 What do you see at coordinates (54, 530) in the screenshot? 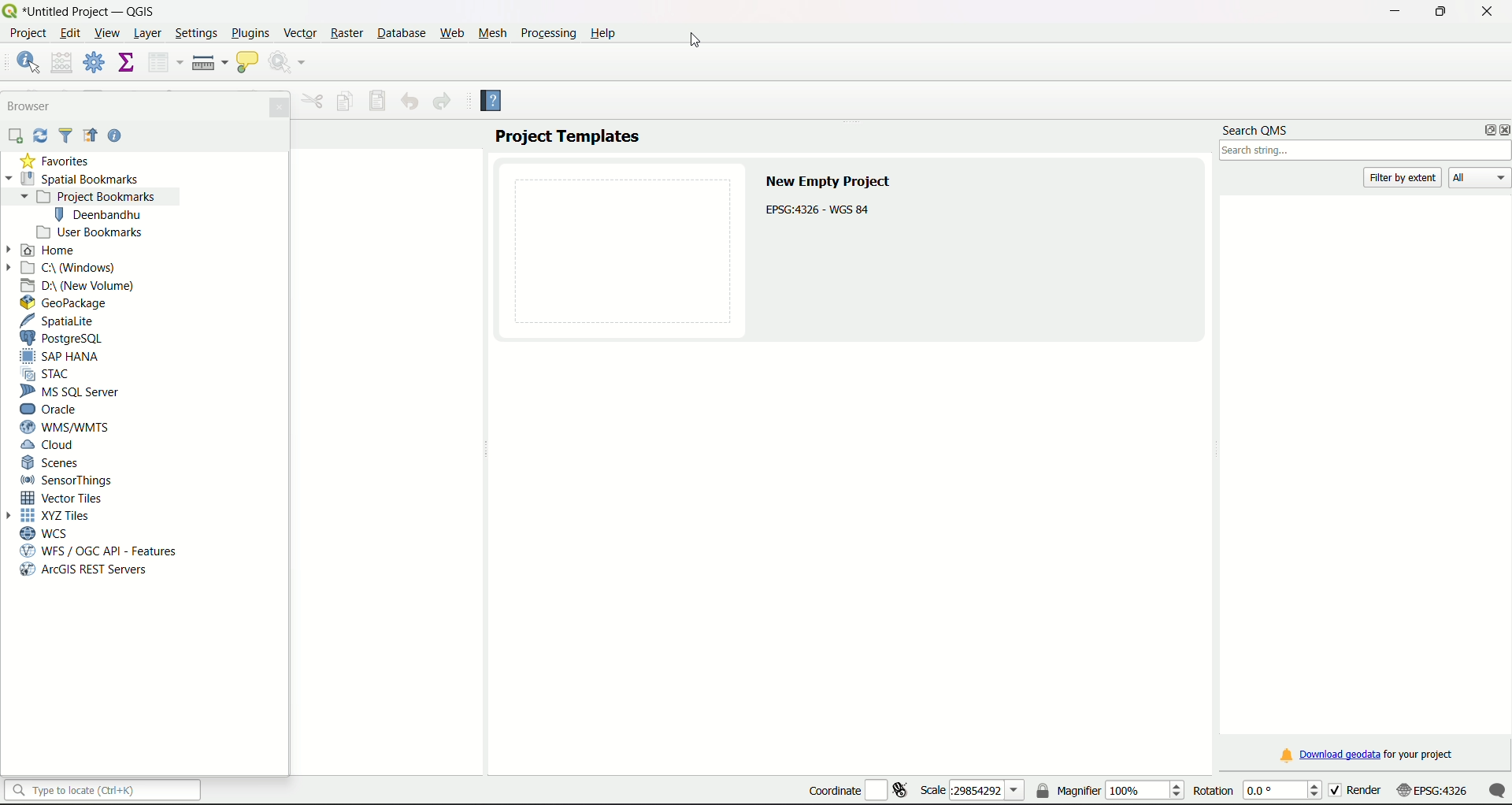
I see `WCS` at bounding box center [54, 530].